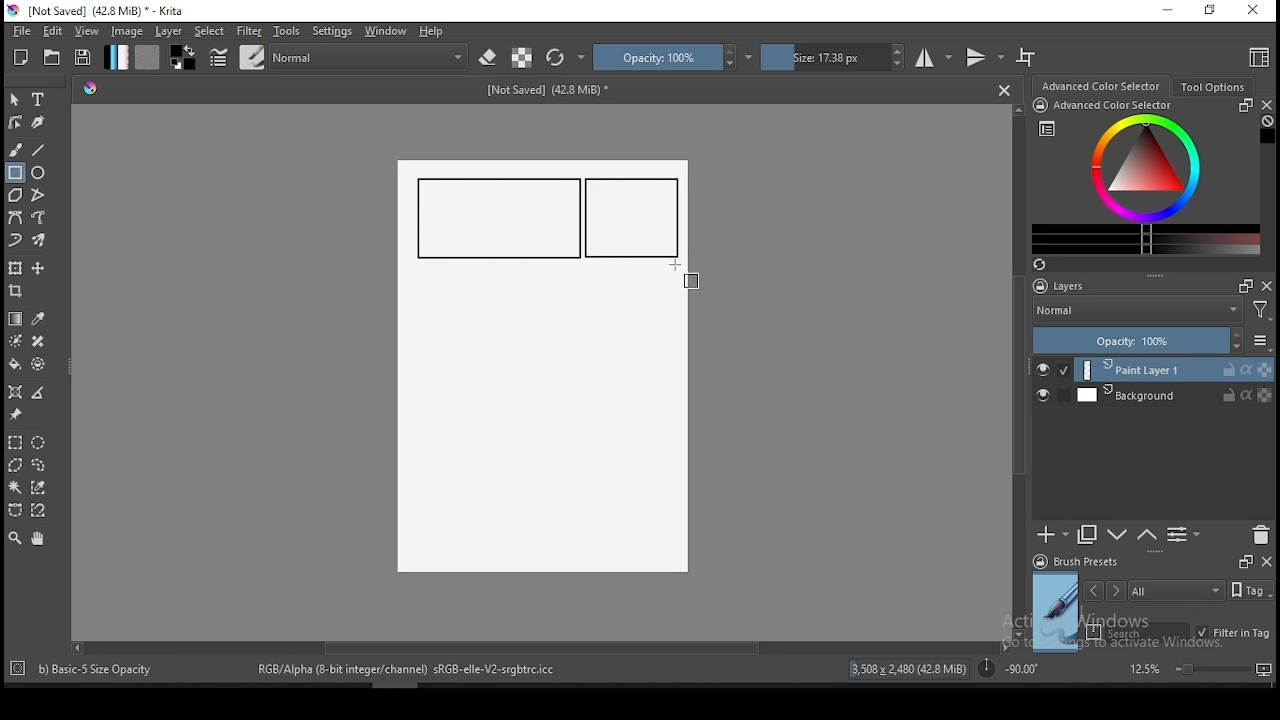 This screenshot has height=720, width=1280. I want to click on delete layer, so click(1260, 536).